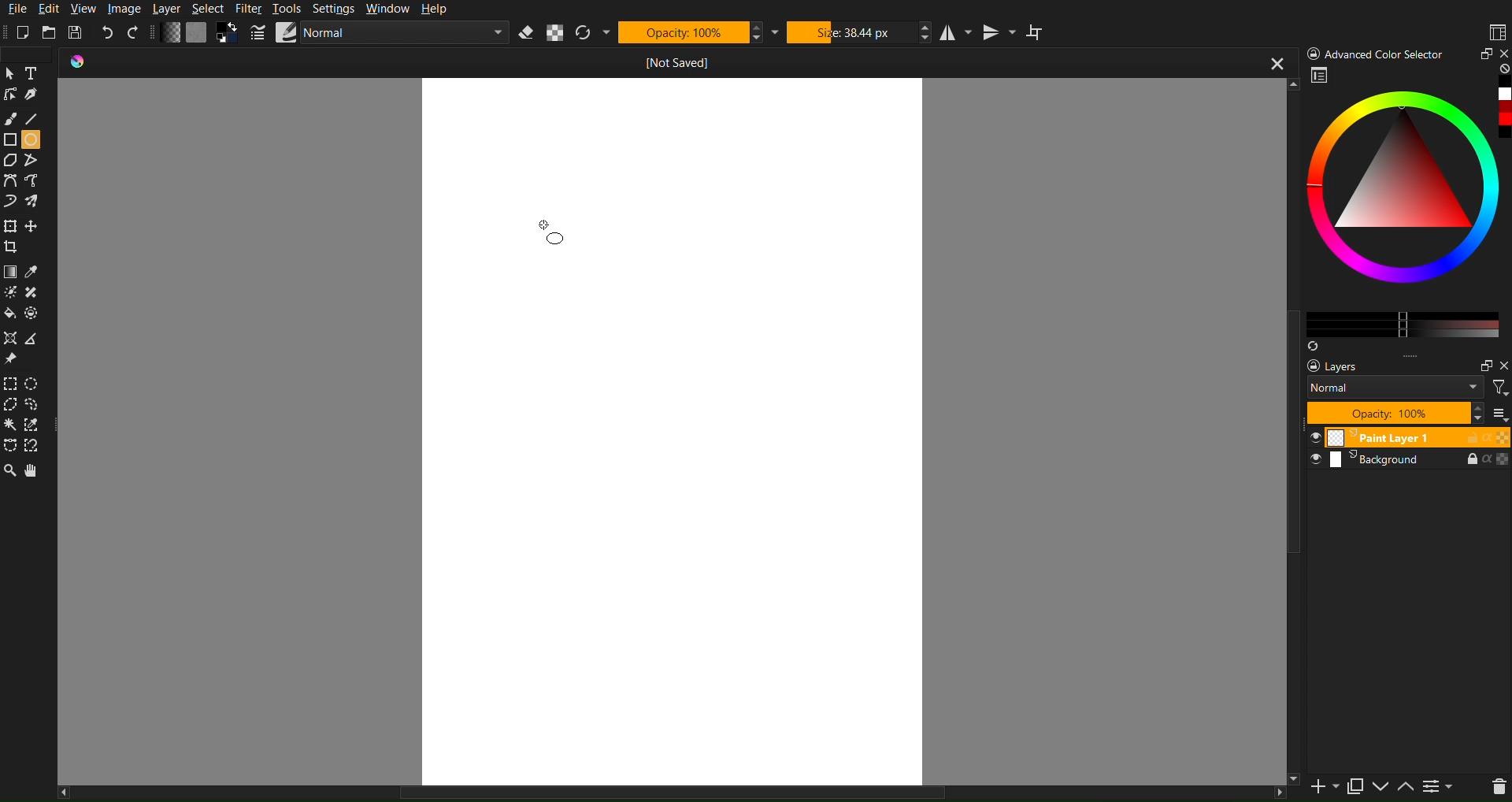  Describe the element at coordinates (952, 32) in the screenshot. I see `Horizontal Mirror` at that location.